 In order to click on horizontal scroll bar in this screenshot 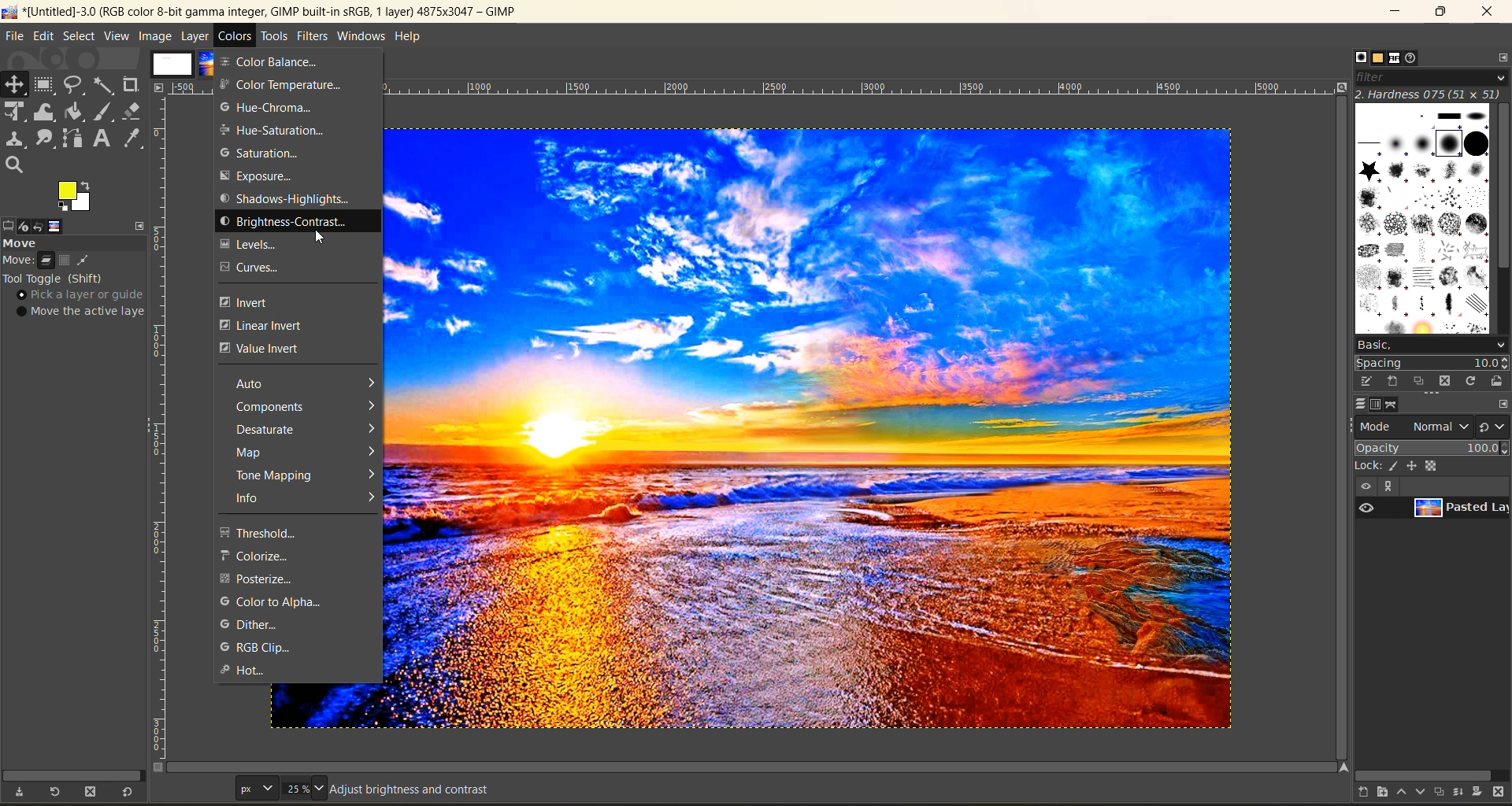, I will do `click(1427, 775)`.